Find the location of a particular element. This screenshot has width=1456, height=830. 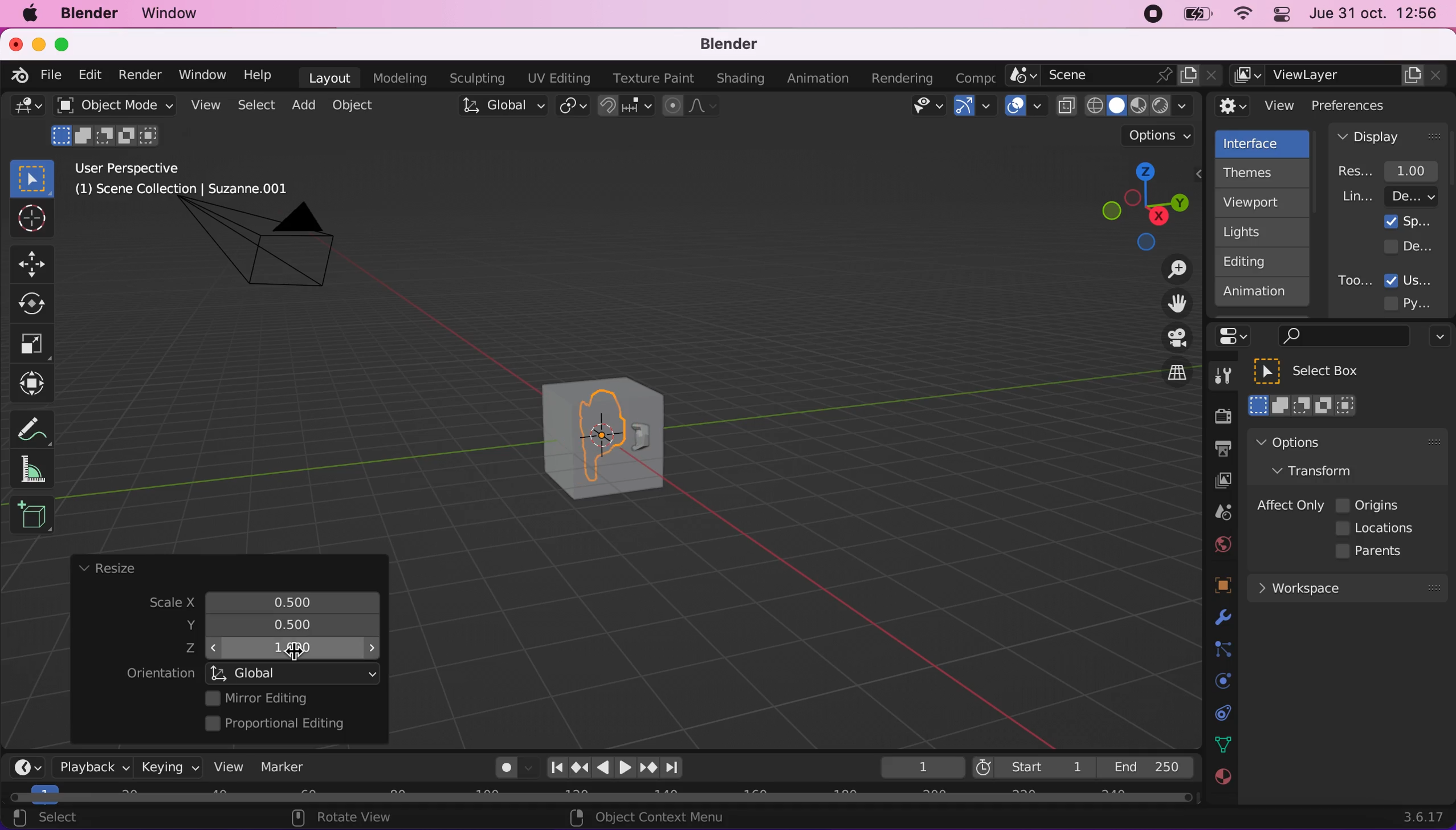

global is located at coordinates (500, 108).